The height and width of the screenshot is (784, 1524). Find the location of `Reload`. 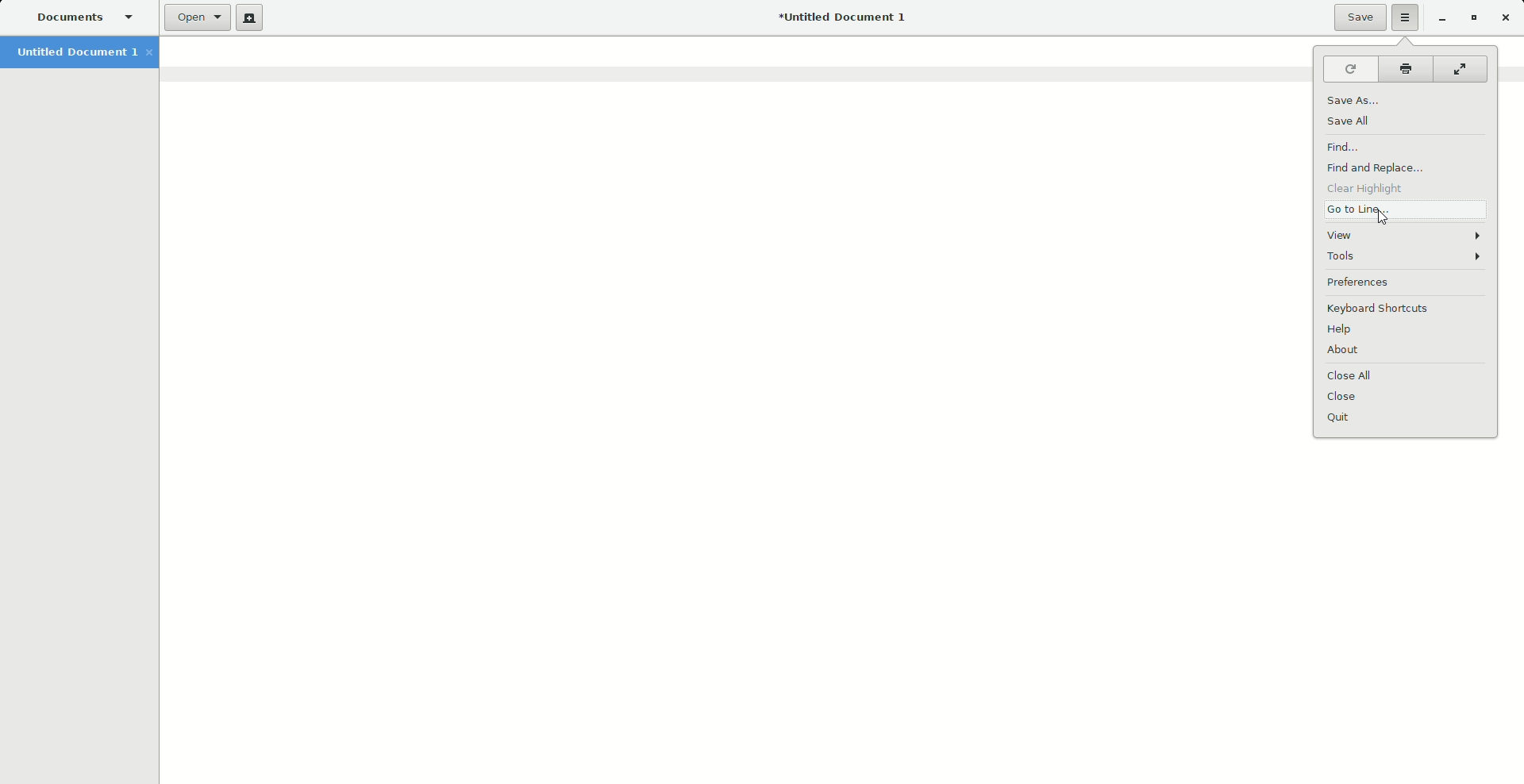

Reload is located at coordinates (1345, 70).